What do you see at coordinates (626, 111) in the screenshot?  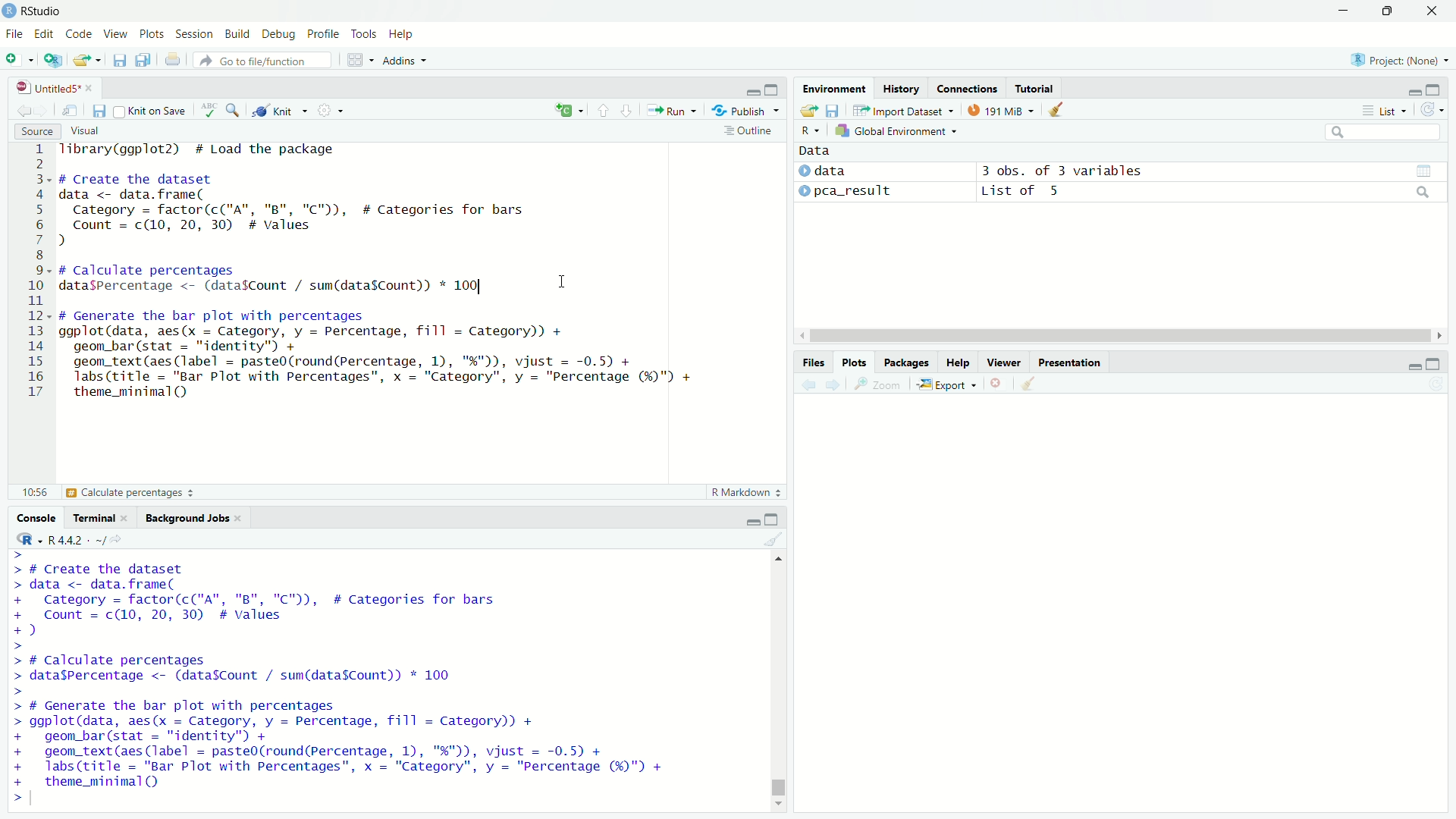 I see `go to next section` at bounding box center [626, 111].